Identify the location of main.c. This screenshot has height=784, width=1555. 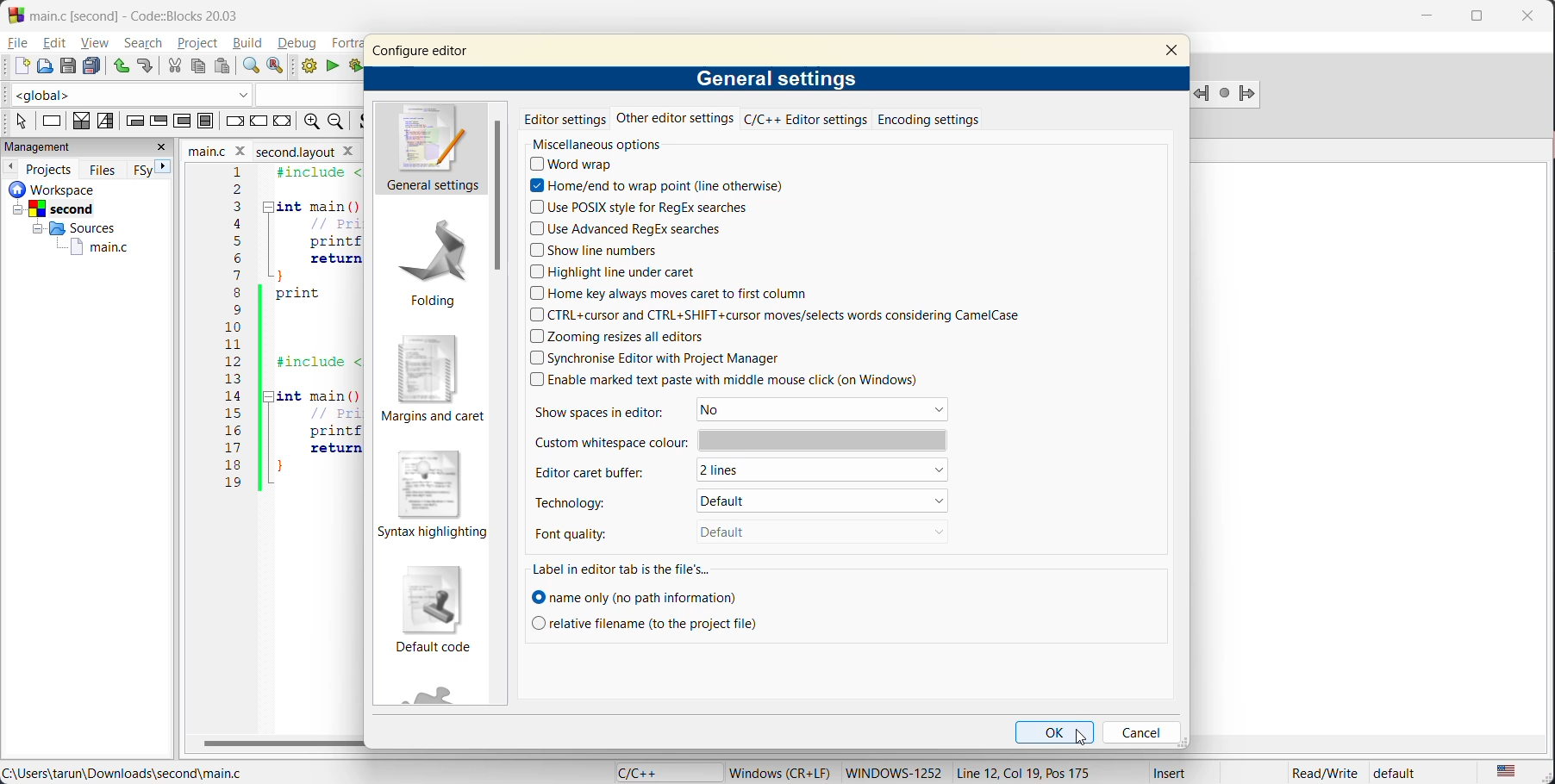
(87, 246).